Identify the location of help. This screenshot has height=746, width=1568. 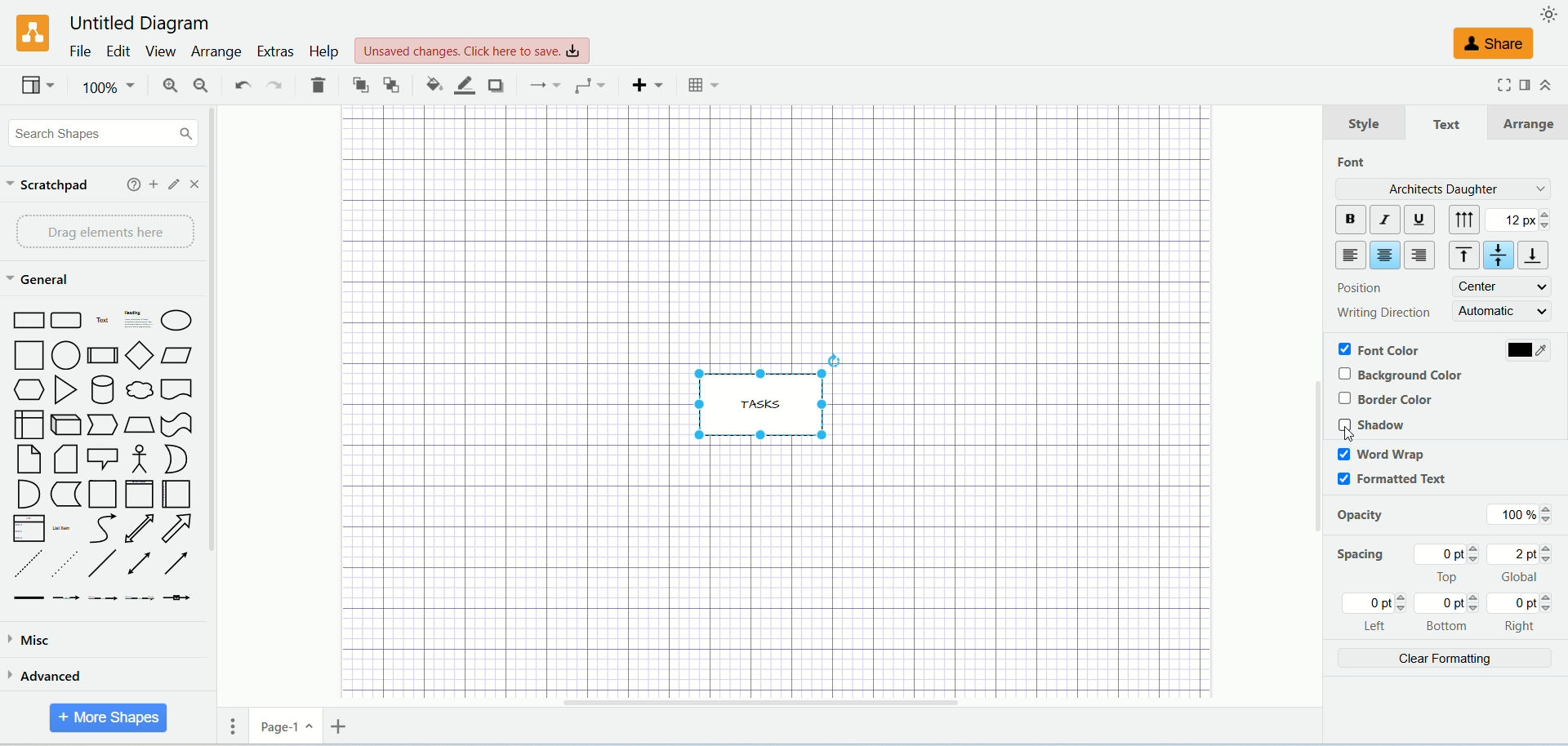
(322, 53).